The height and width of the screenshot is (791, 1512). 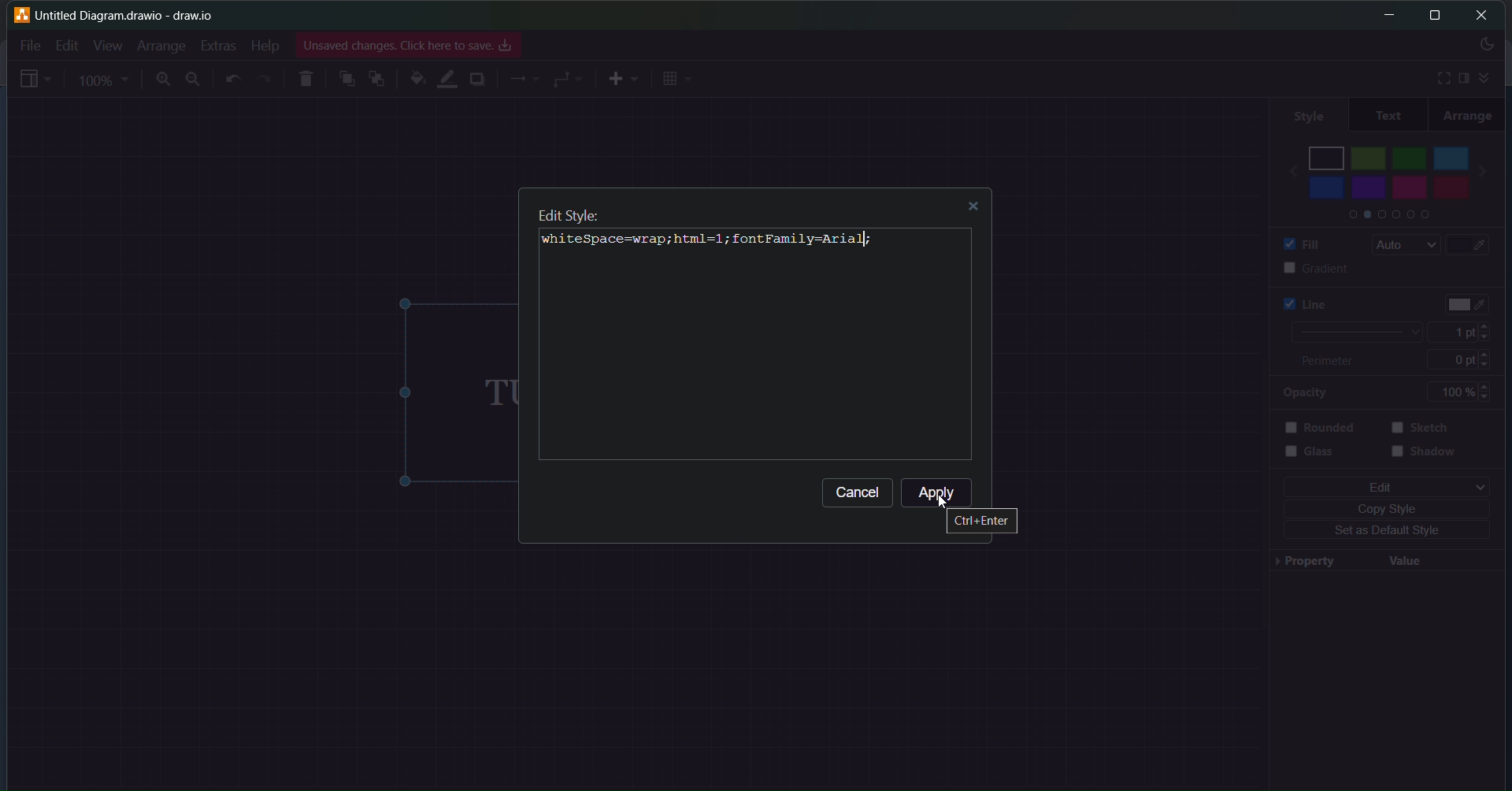 I want to click on 1 pt, so click(x=1466, y=332).